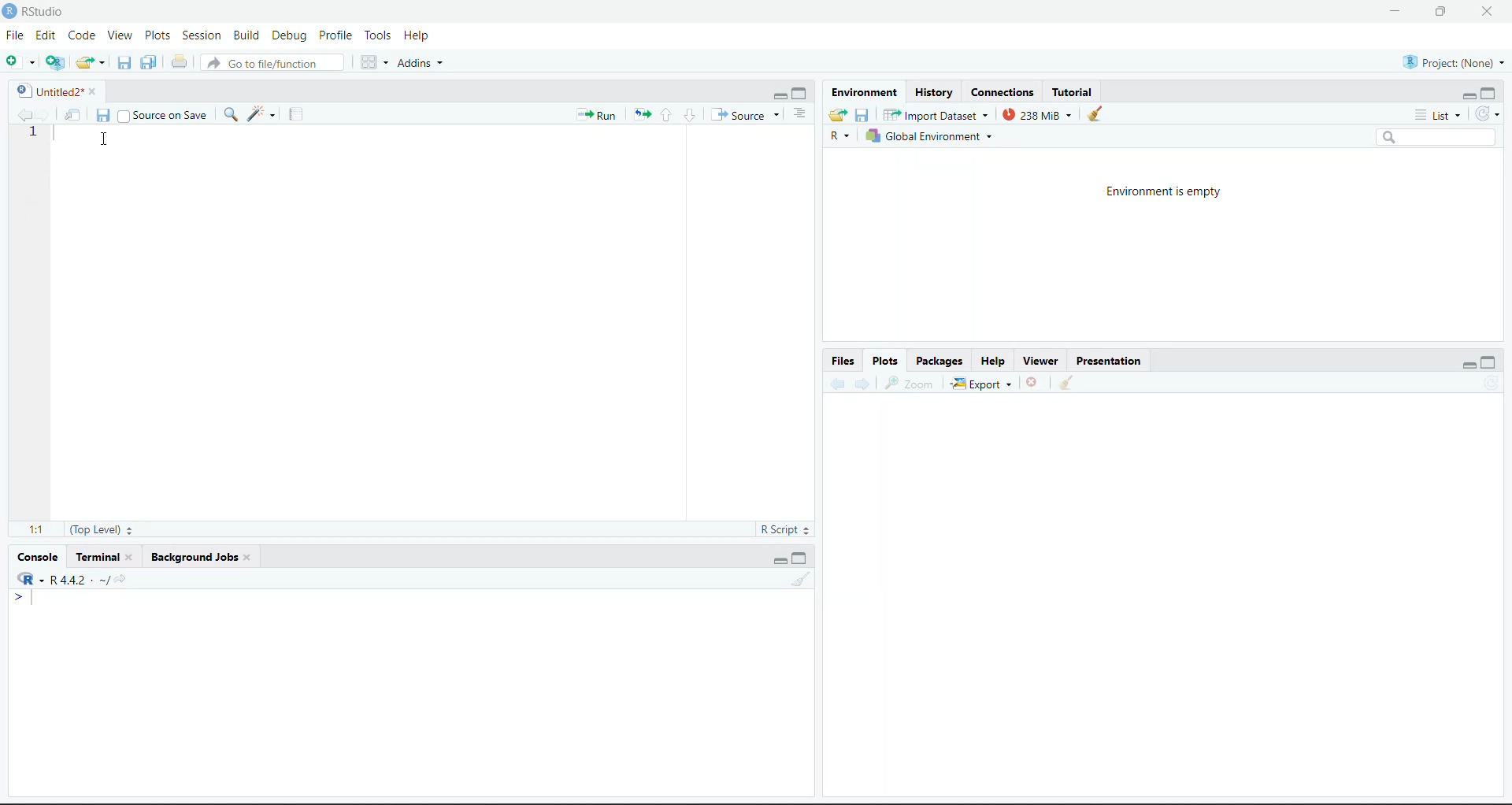 This screenshot has width=1512, height=805. Describe the element at coordinates (24, 597) in the screenshot. I see `>` at that location.